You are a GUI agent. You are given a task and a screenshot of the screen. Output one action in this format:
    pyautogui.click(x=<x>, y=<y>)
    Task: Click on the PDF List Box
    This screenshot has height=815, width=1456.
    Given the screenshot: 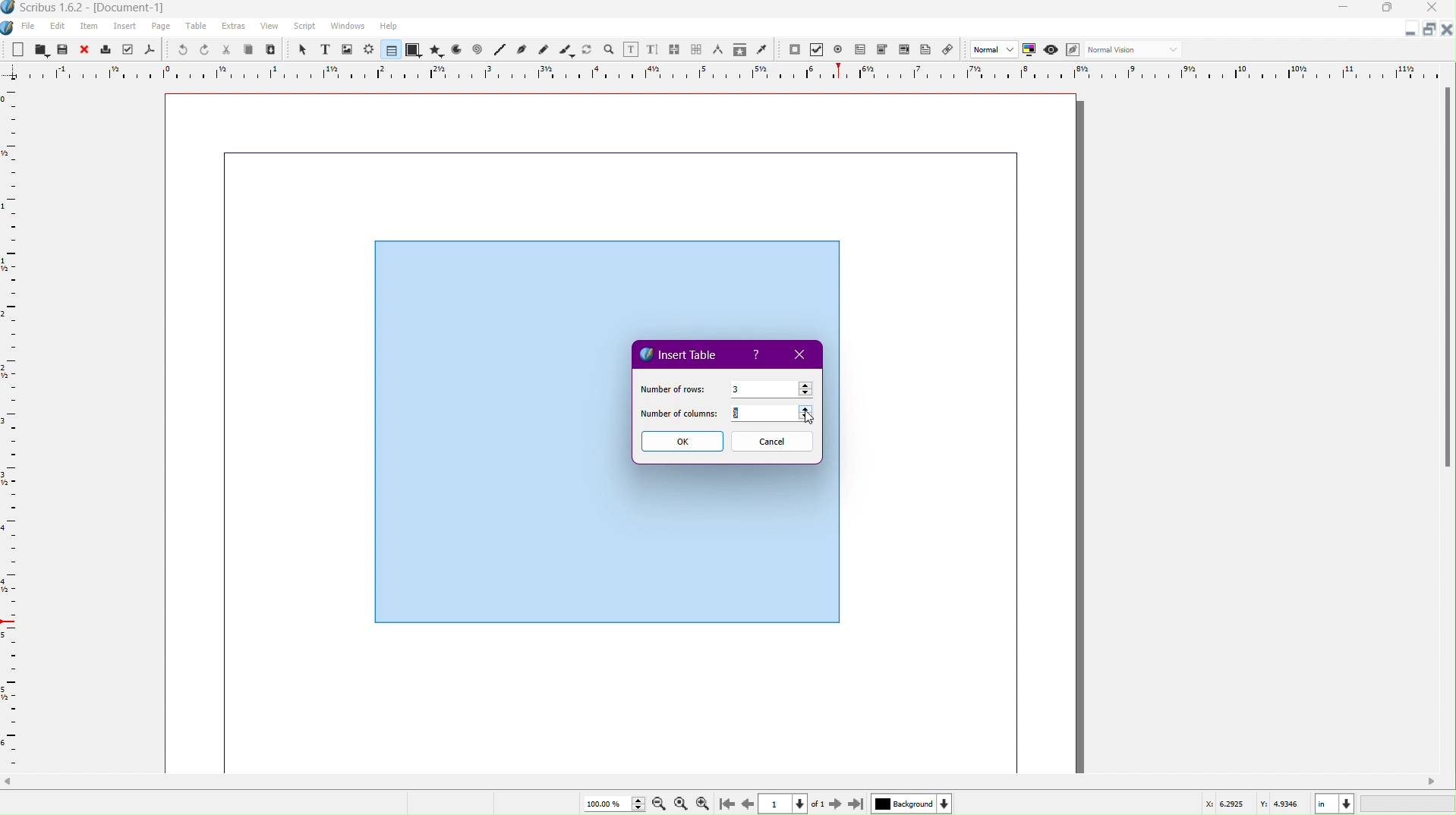 What is the action you would take?
    pyautogui.click(x=903, y=52)
    